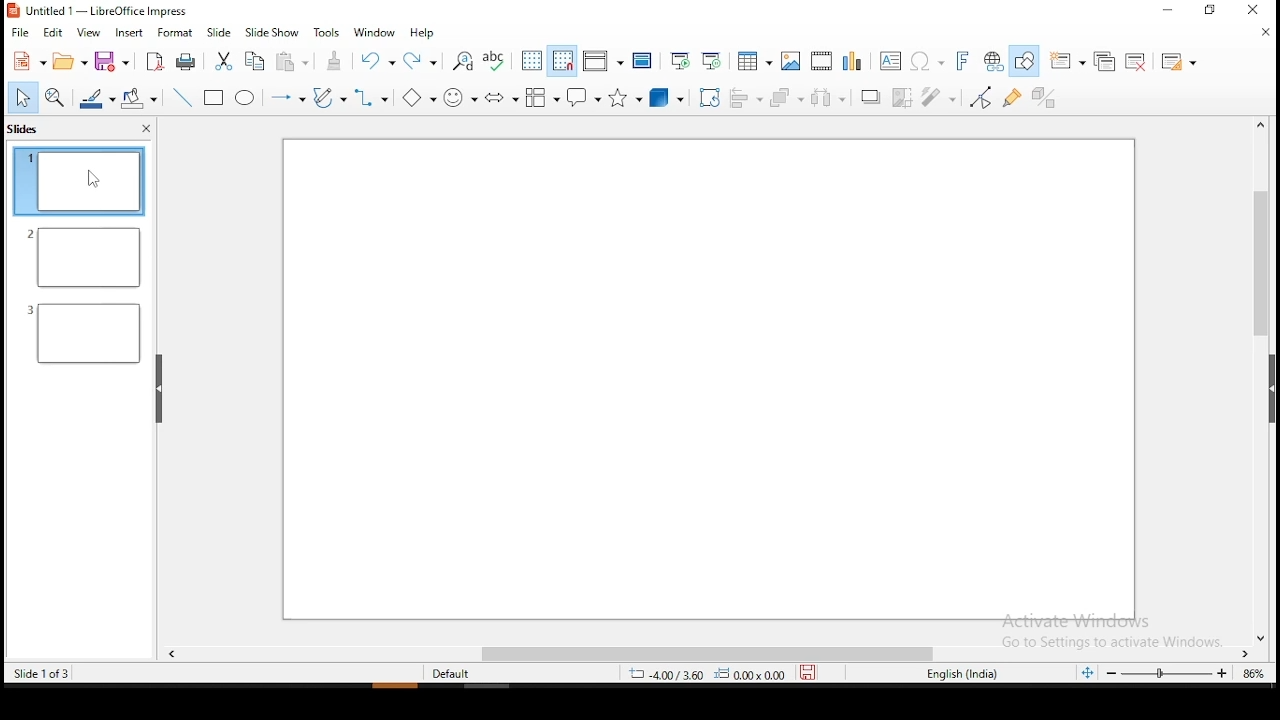  Describe the element at coordinates (217, 33) in the screenshot. I see `slide` at that location.